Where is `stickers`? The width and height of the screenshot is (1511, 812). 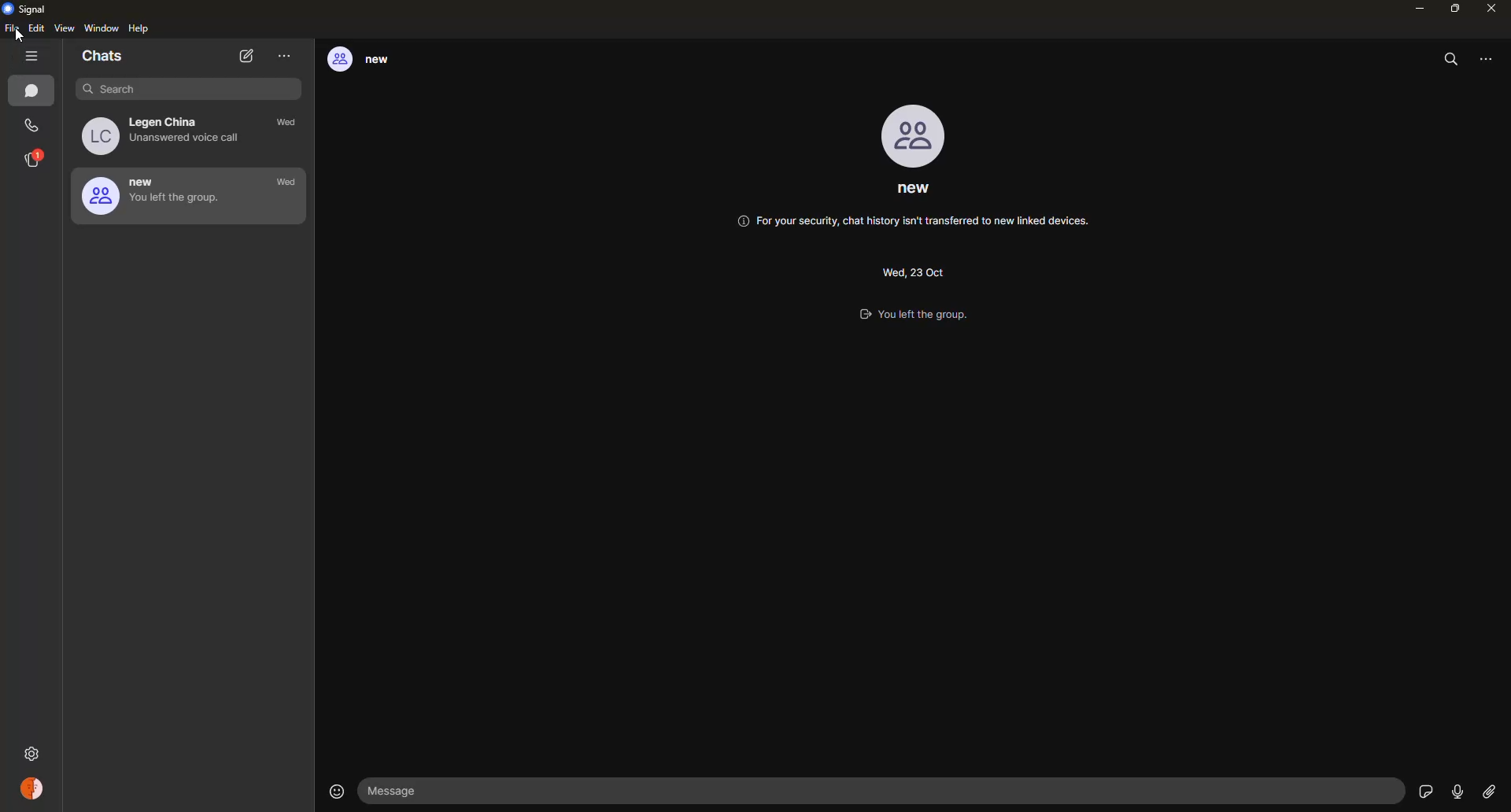 stickers is located at coordinates (1424, 790).